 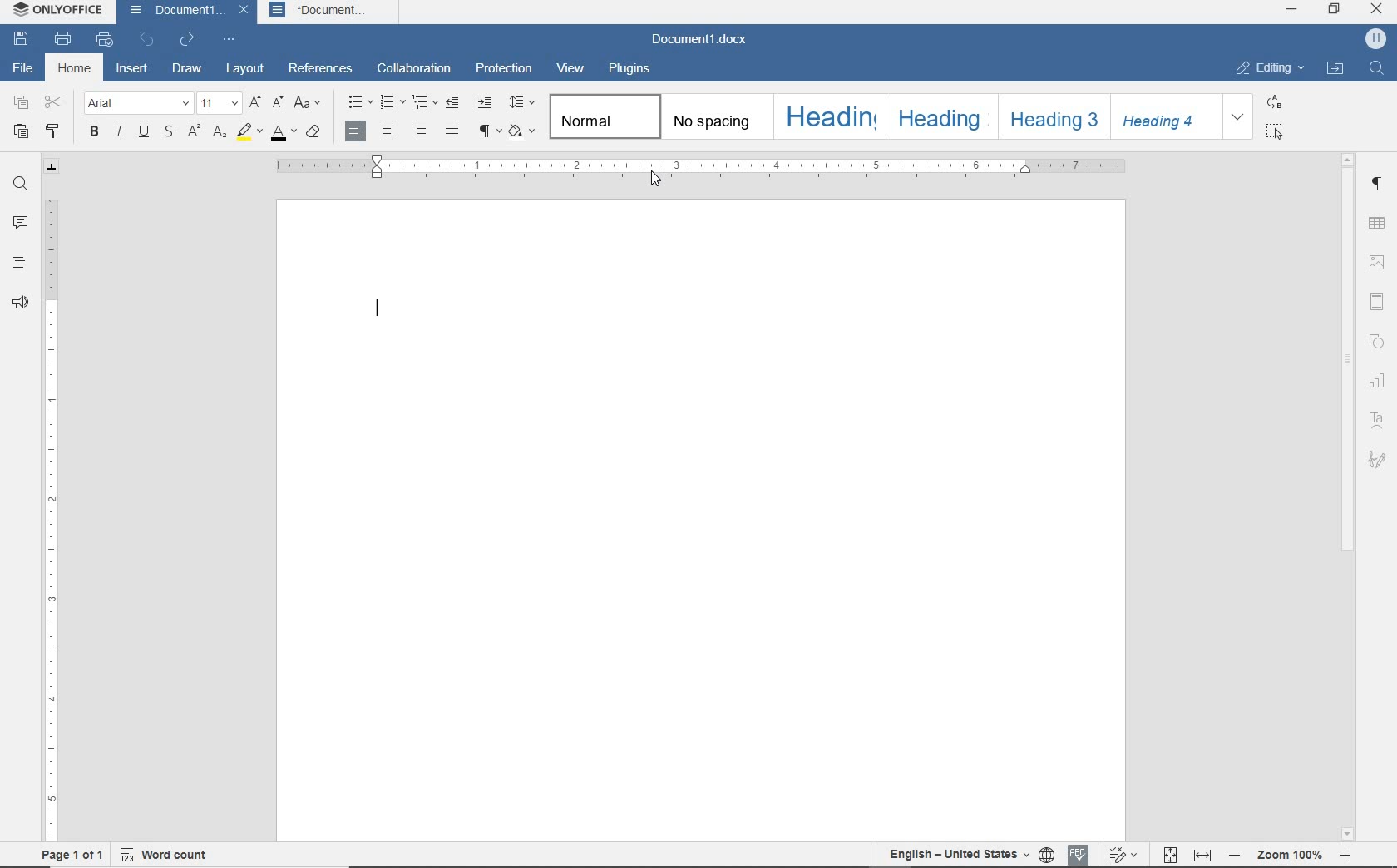 I want to click on SHAPE, so click(x=1379, y=343).